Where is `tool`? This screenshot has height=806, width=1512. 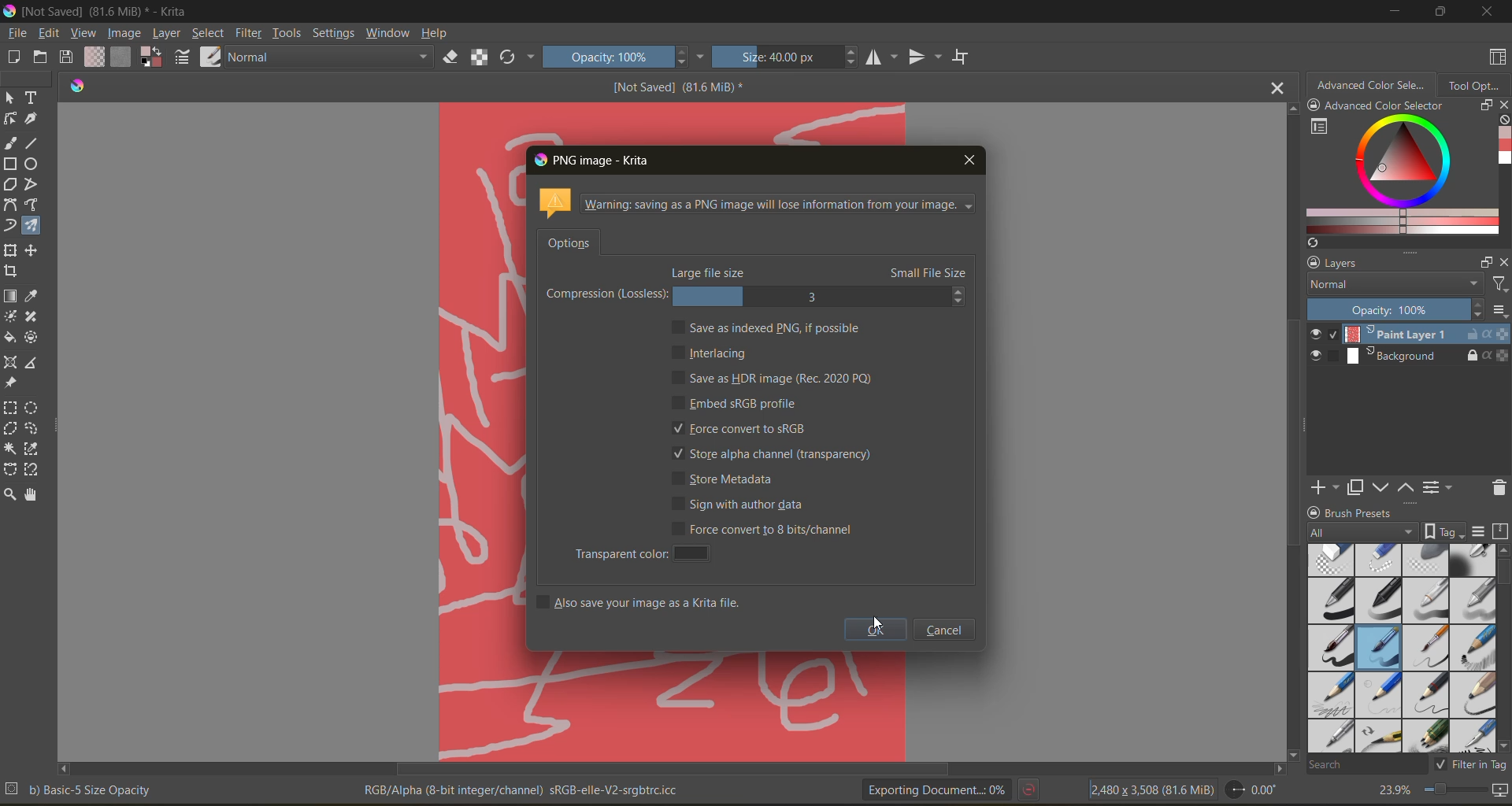 tool is located at coordinates (9, 250).